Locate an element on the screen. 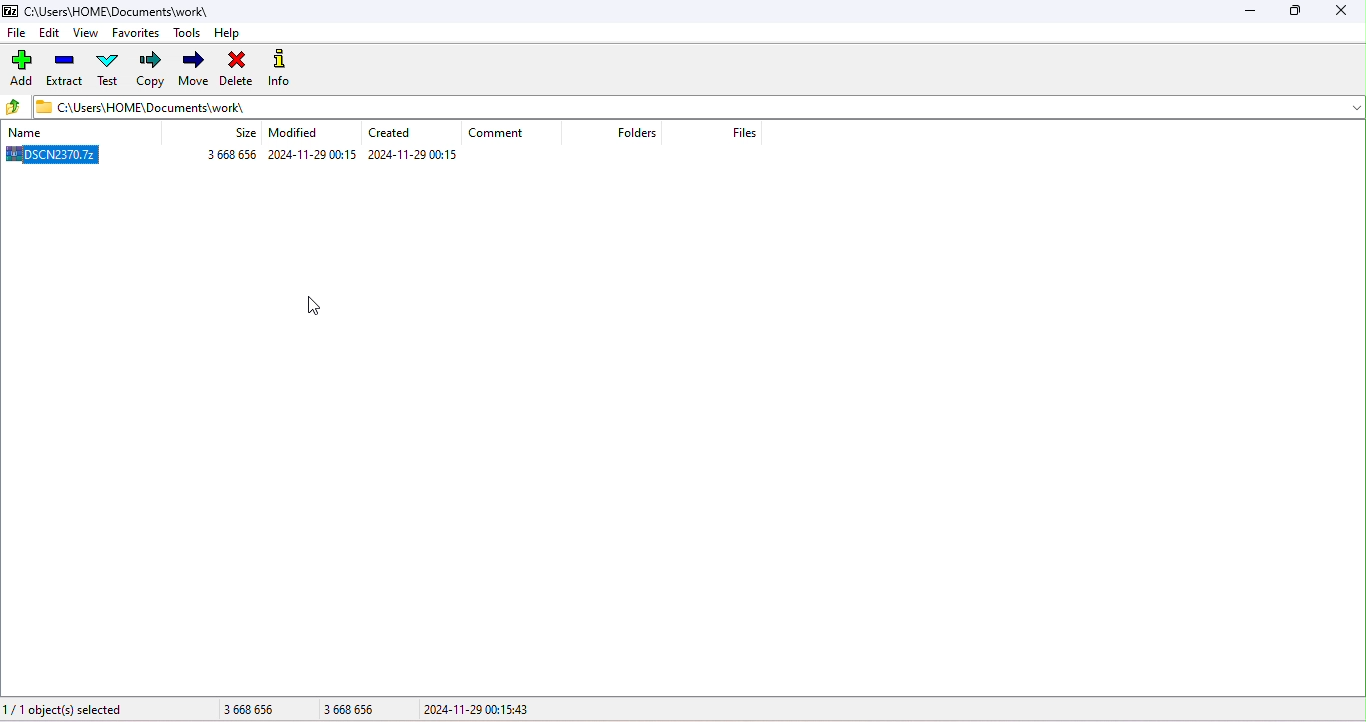  creation date is located at coordinates (507, 711).